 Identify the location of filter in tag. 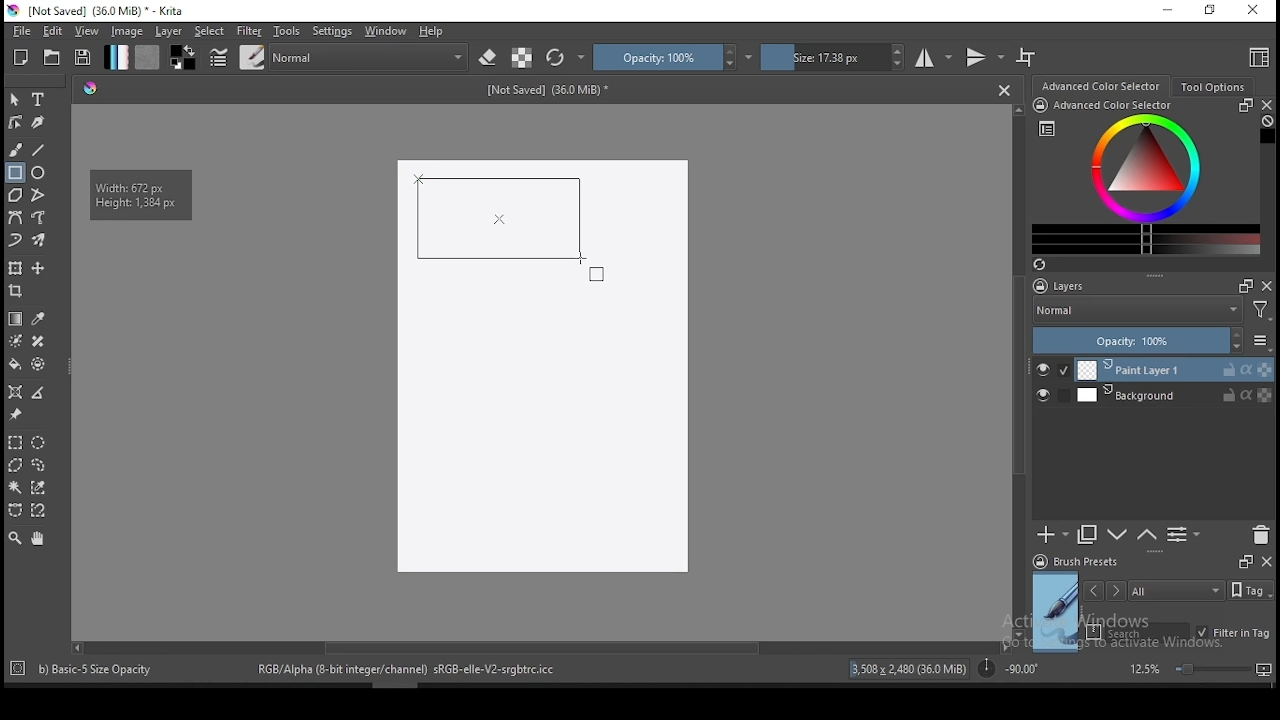
(1233, 634).